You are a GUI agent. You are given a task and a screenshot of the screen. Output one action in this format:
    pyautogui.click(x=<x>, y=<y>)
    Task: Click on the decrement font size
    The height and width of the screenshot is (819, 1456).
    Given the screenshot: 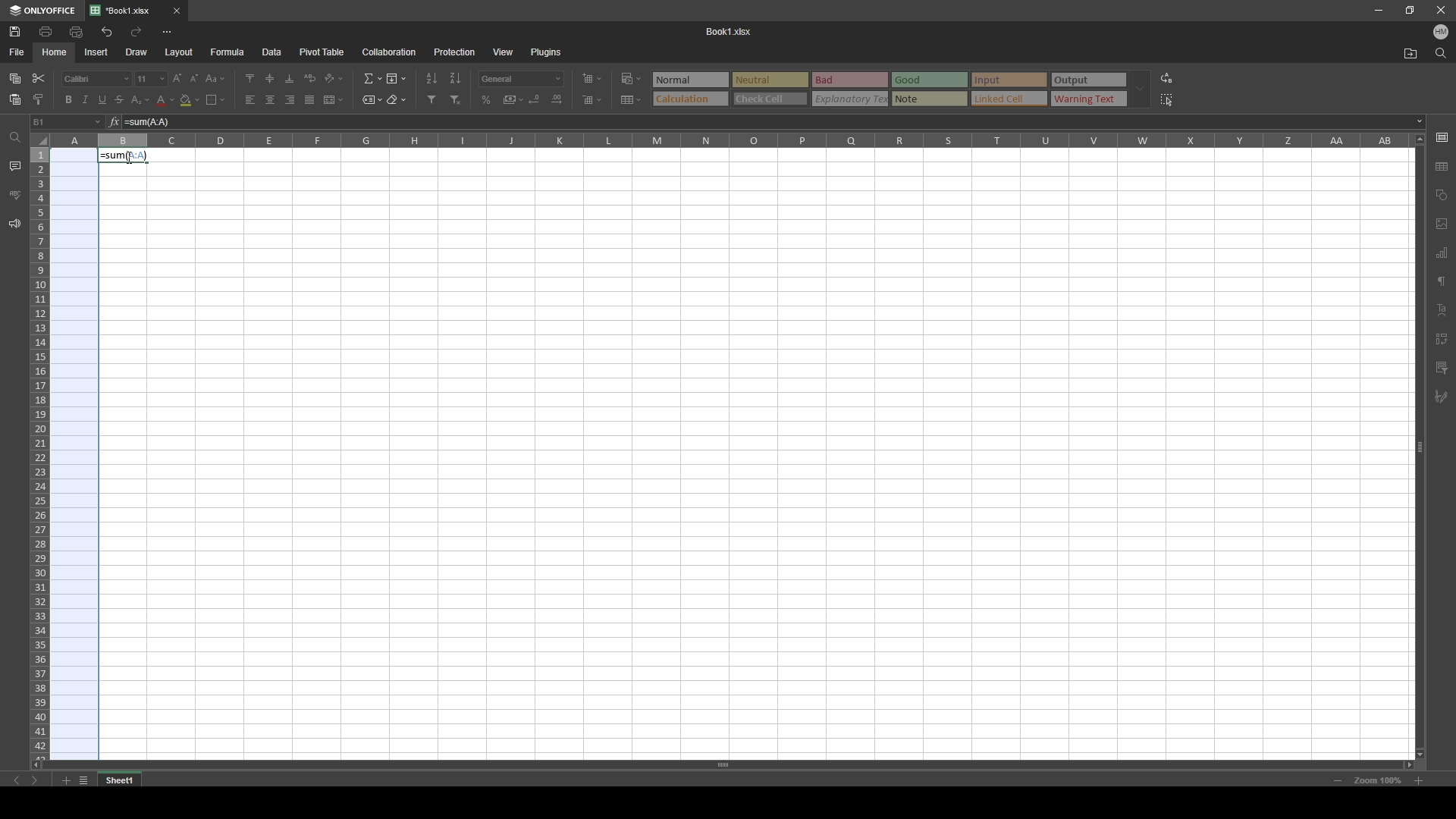 What is the action you would take?
    pyautogui.click(x=195, y=80)
    